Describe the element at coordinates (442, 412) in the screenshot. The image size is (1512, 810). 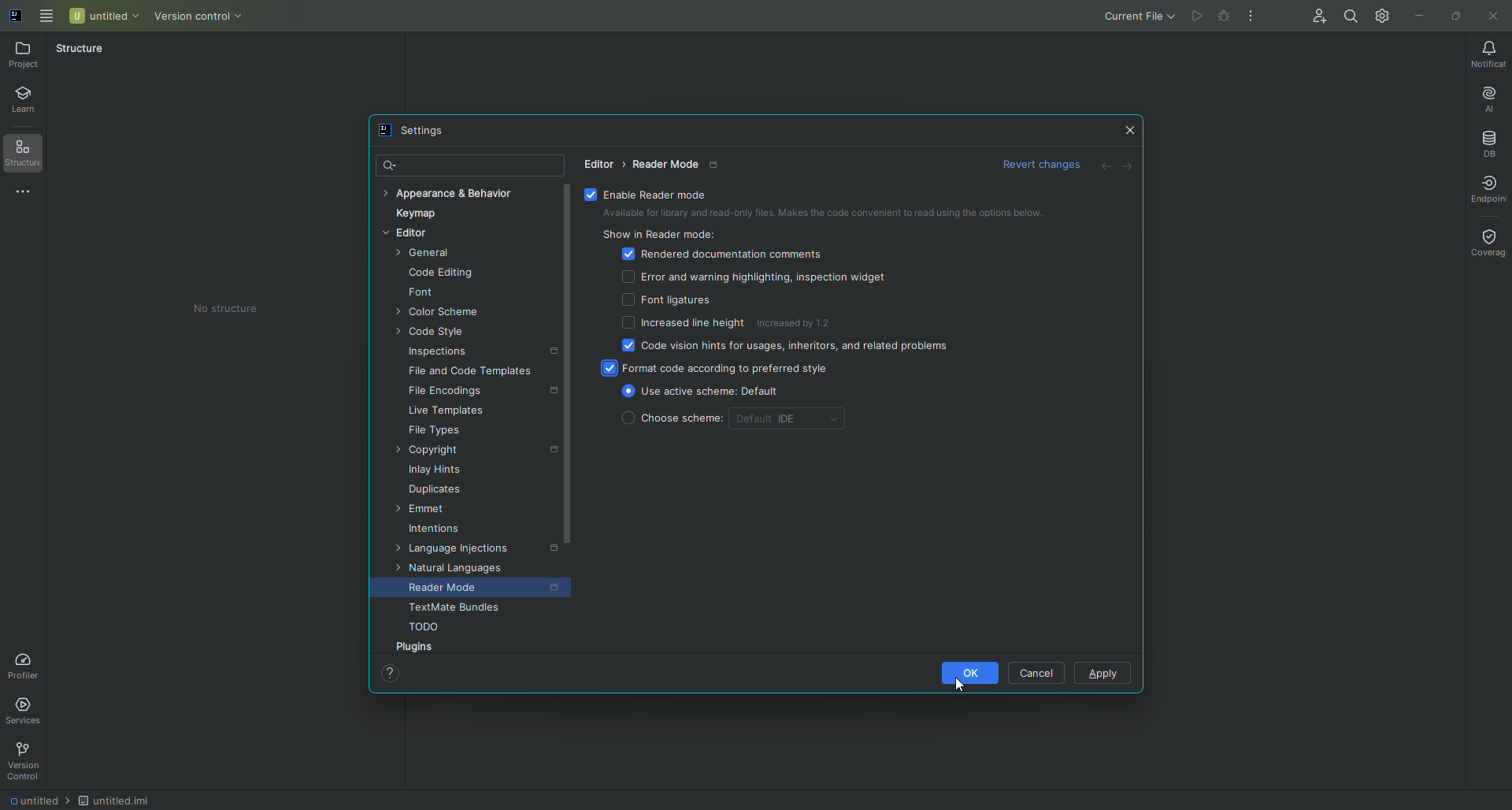
I see `Live templates` at that location.